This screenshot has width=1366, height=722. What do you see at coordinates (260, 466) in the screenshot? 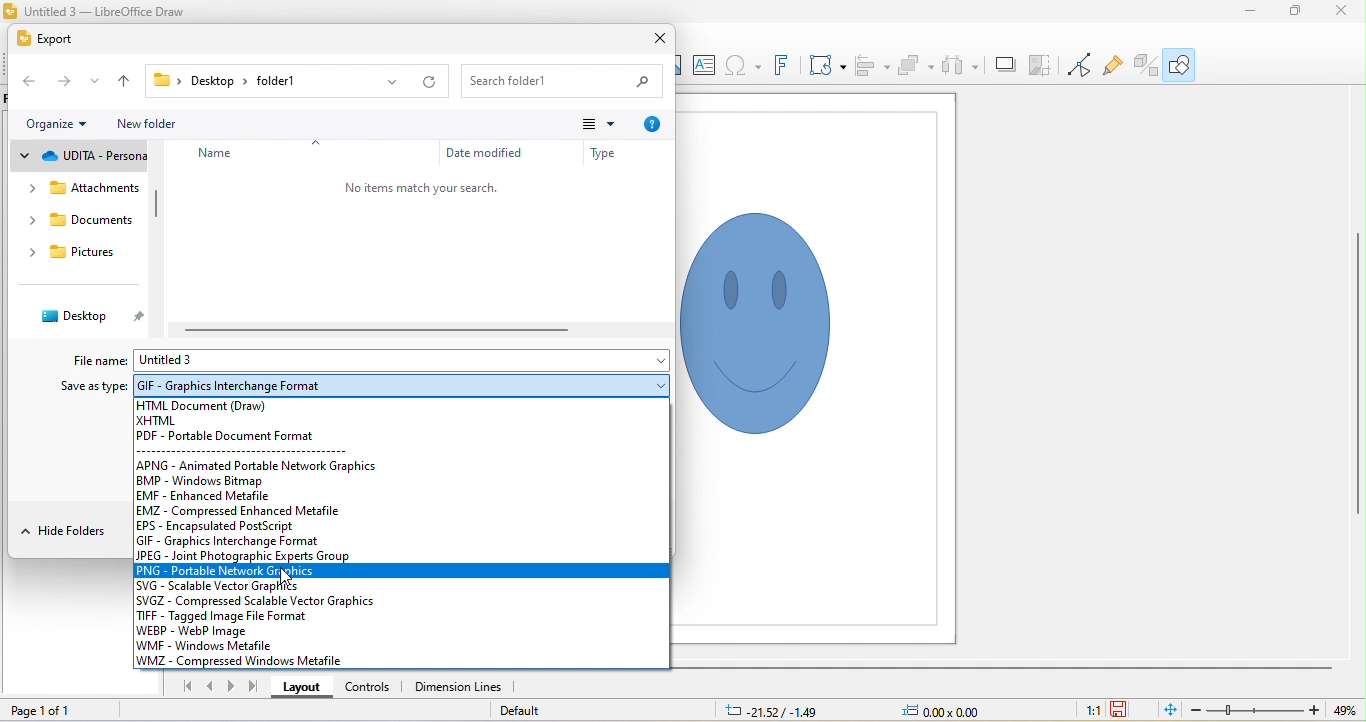
I see `APNG- animated portable graphics` at bounding box center [260, 466].